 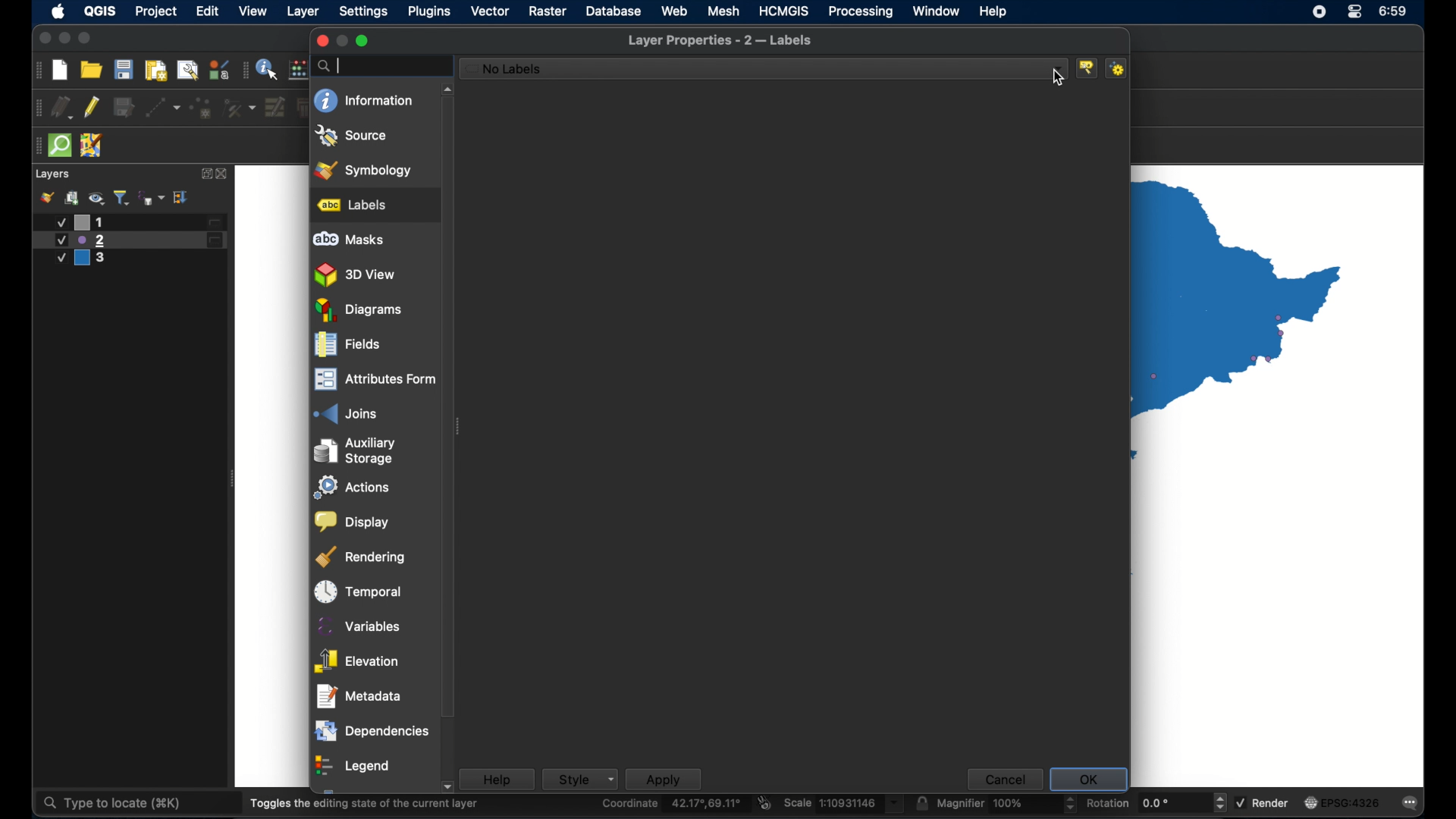 What do you see at coordinates (130, 240) in the screenshot?
I see `layer 2` at bounding box center [130, 240].